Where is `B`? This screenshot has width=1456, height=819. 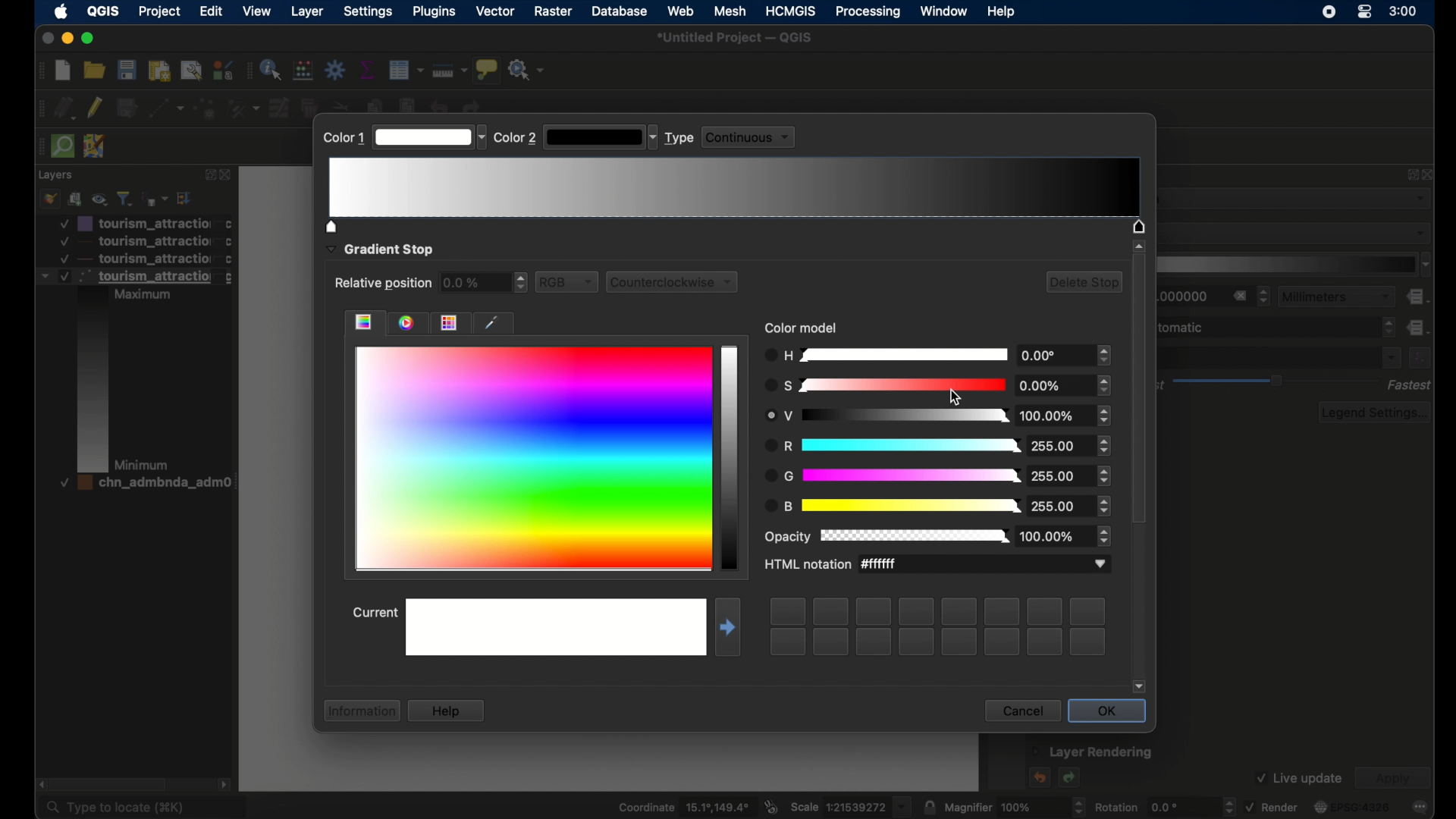 B is located at coordinates (938, 507).